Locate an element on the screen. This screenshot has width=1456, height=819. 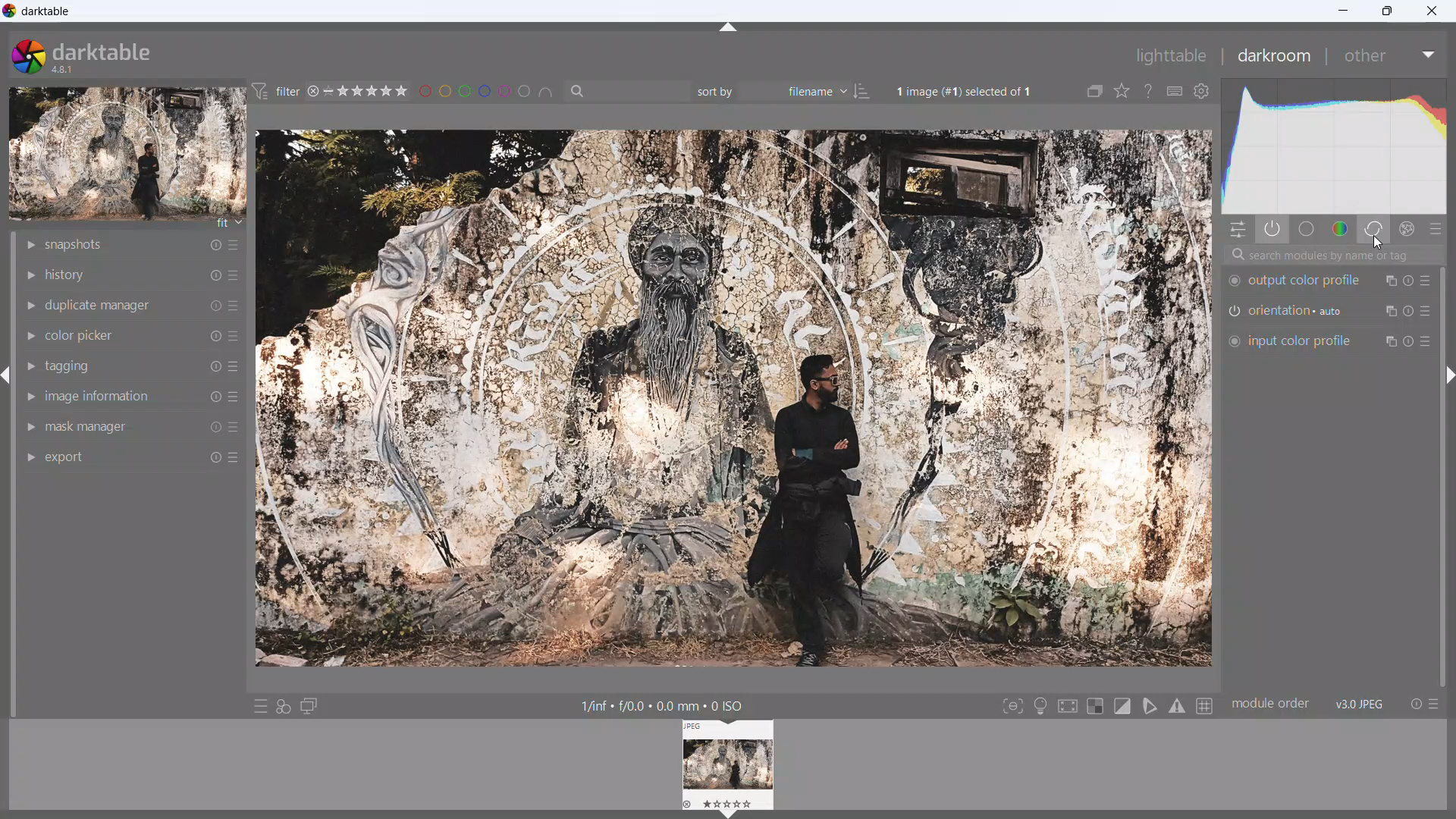
presets is located at coordinates (1437, 227).